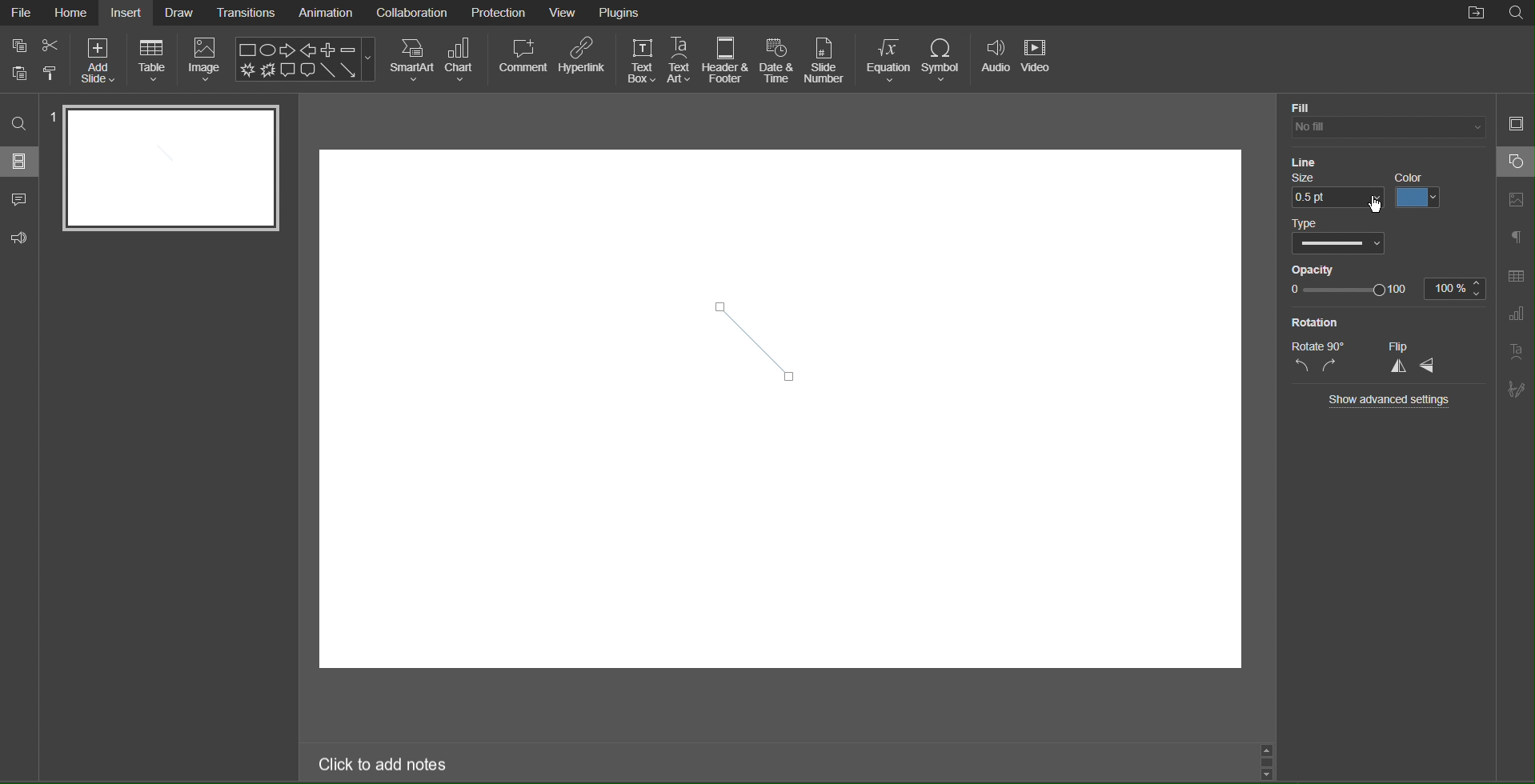 This screenshot has width=1535, height=784. Describe the element at coordinates (1517, 238) in the screenshot. I see `Paragraph Settings` at that location.